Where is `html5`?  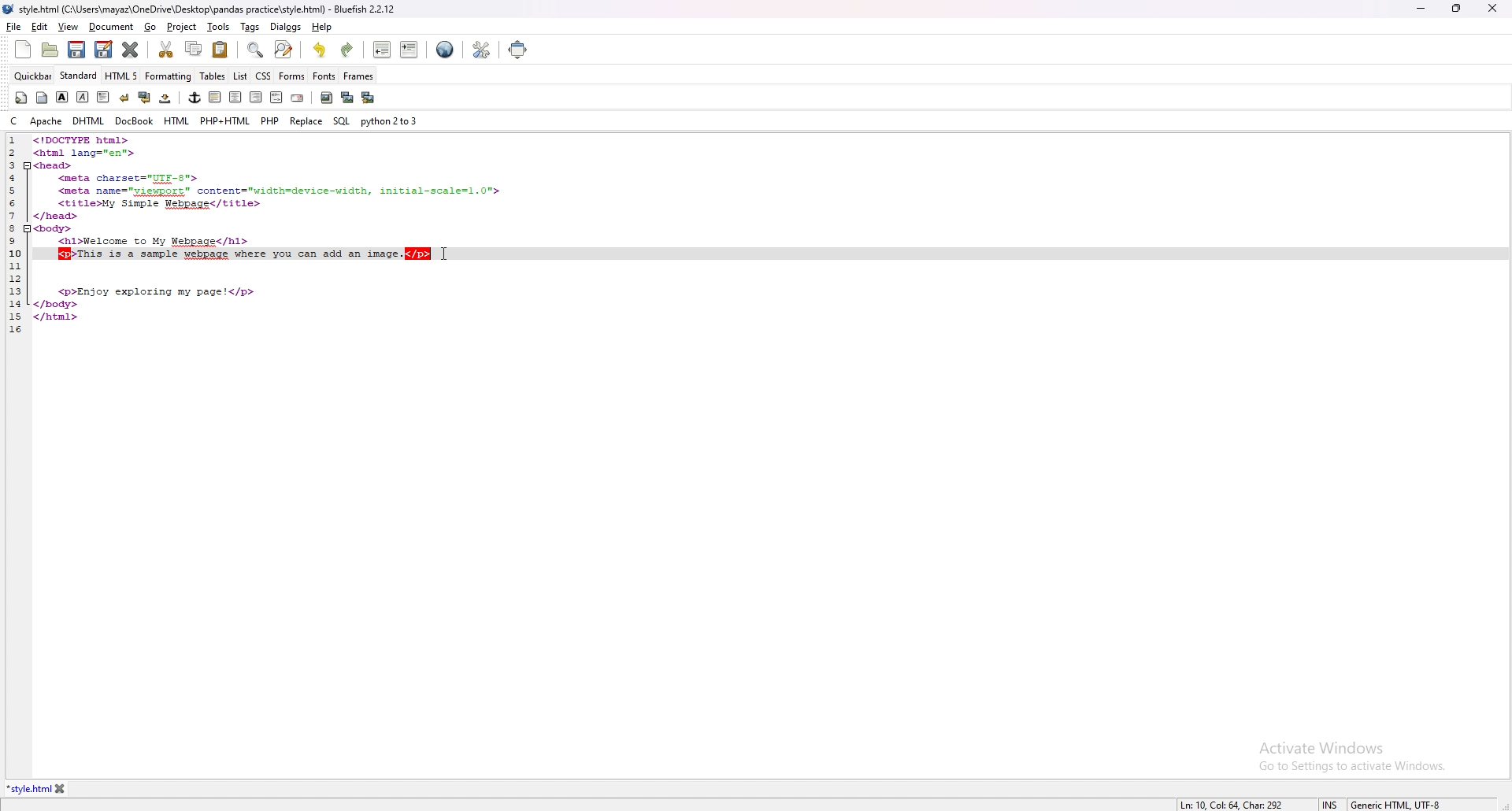 html5 is located at coordinates (121, 76).